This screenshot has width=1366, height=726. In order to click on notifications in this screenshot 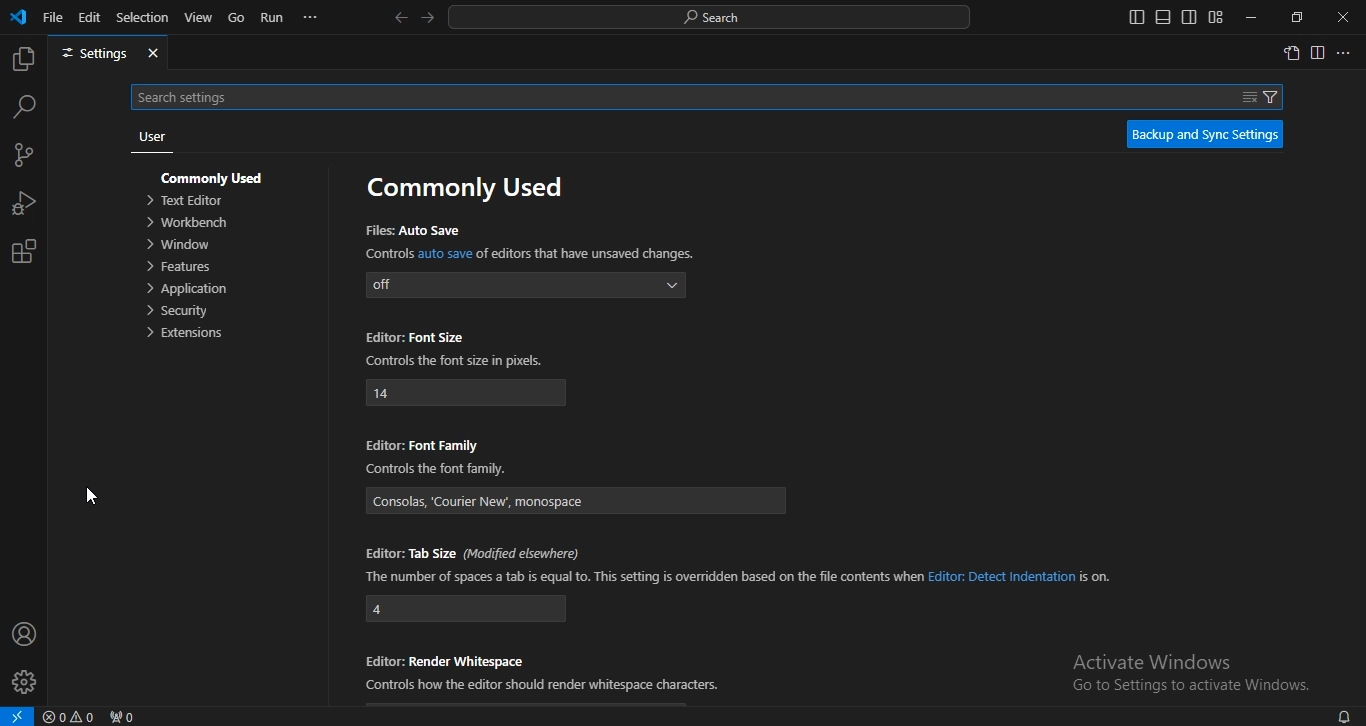, I will do `click(1343, 715)`.